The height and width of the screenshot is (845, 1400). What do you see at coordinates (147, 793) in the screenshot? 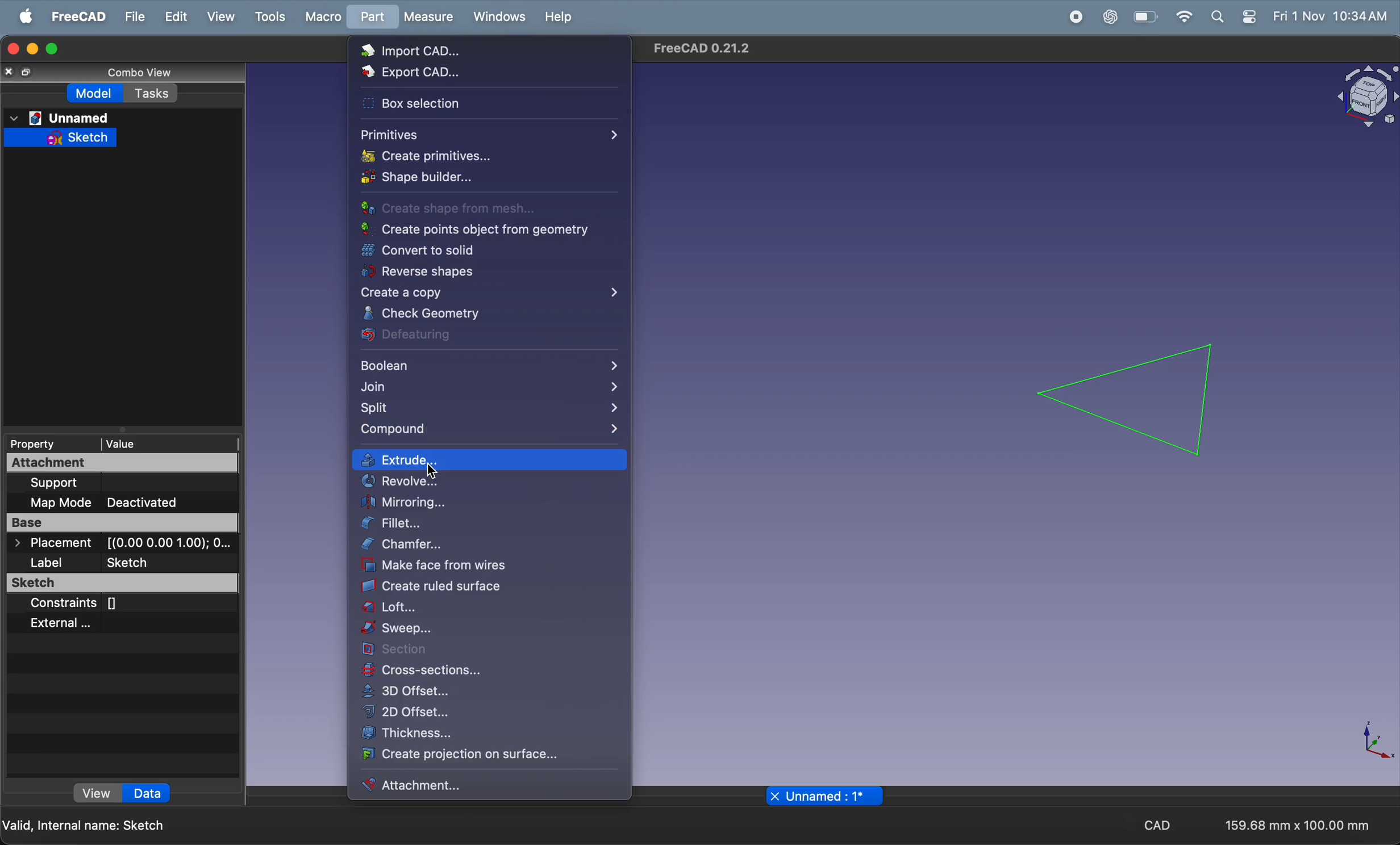
I see `data` at bounding box center [147, 793].